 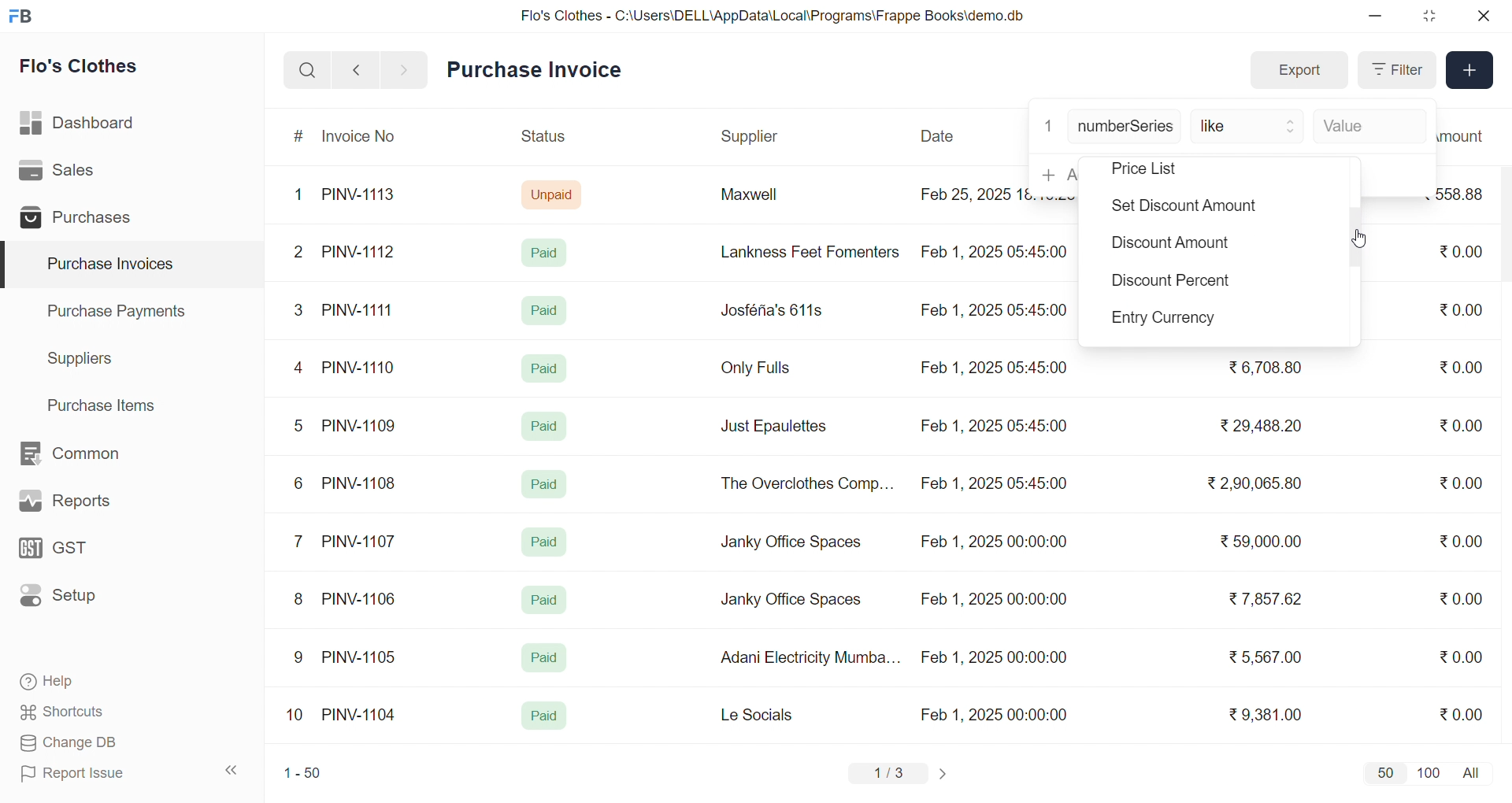 I want to click on PINV-1113, so click(x=365, y=196).